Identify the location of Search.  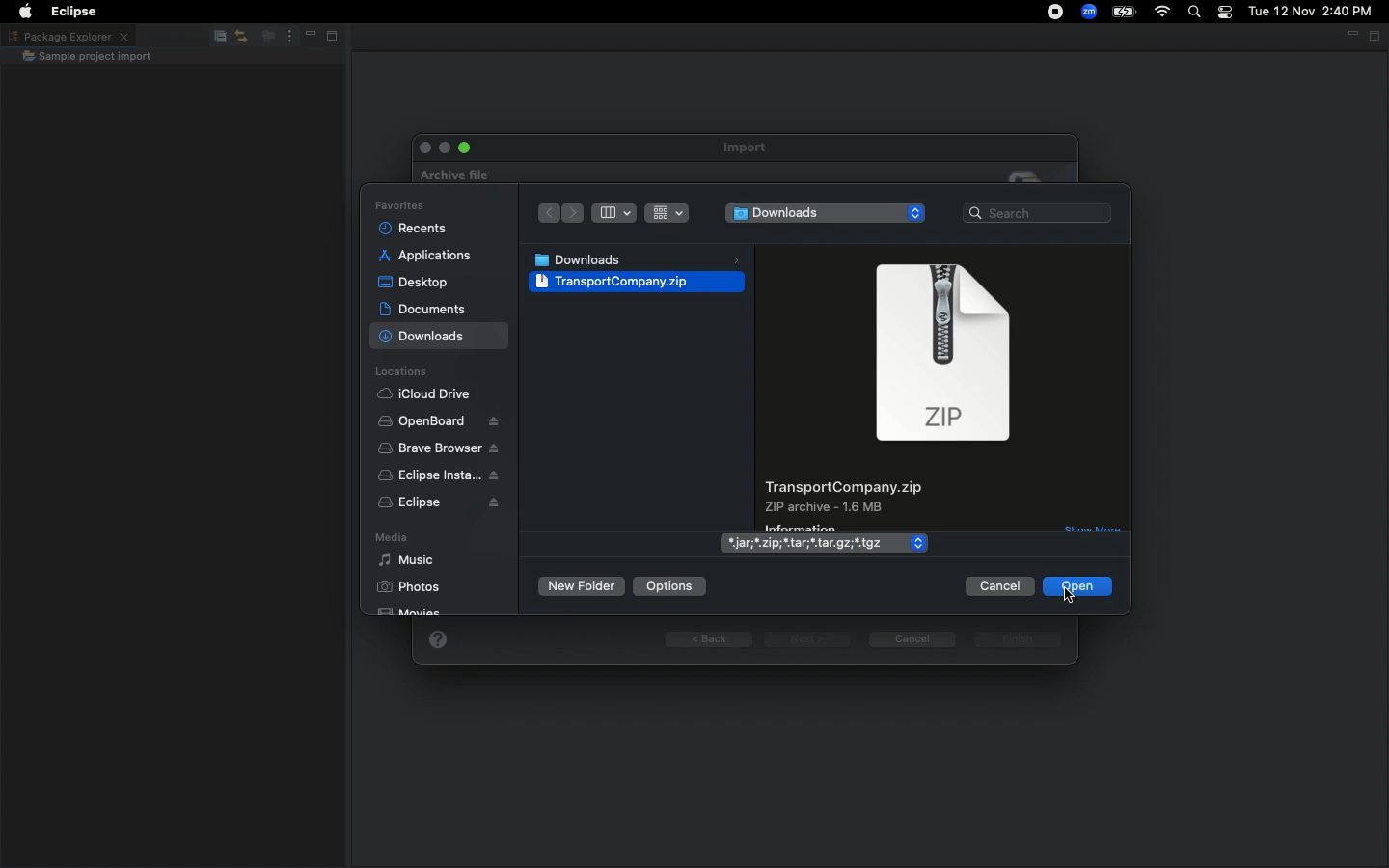
(1192, 13).